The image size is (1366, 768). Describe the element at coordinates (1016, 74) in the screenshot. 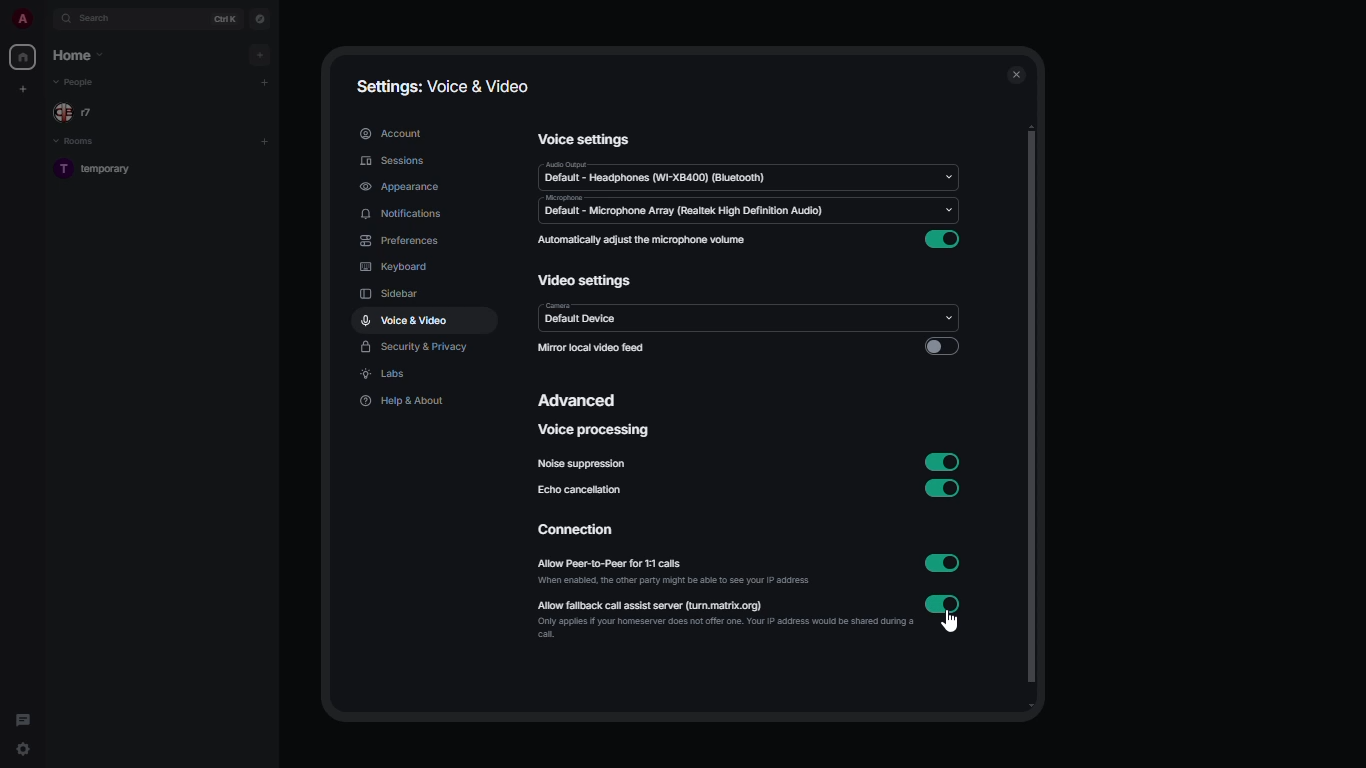

I see `close` at that location.